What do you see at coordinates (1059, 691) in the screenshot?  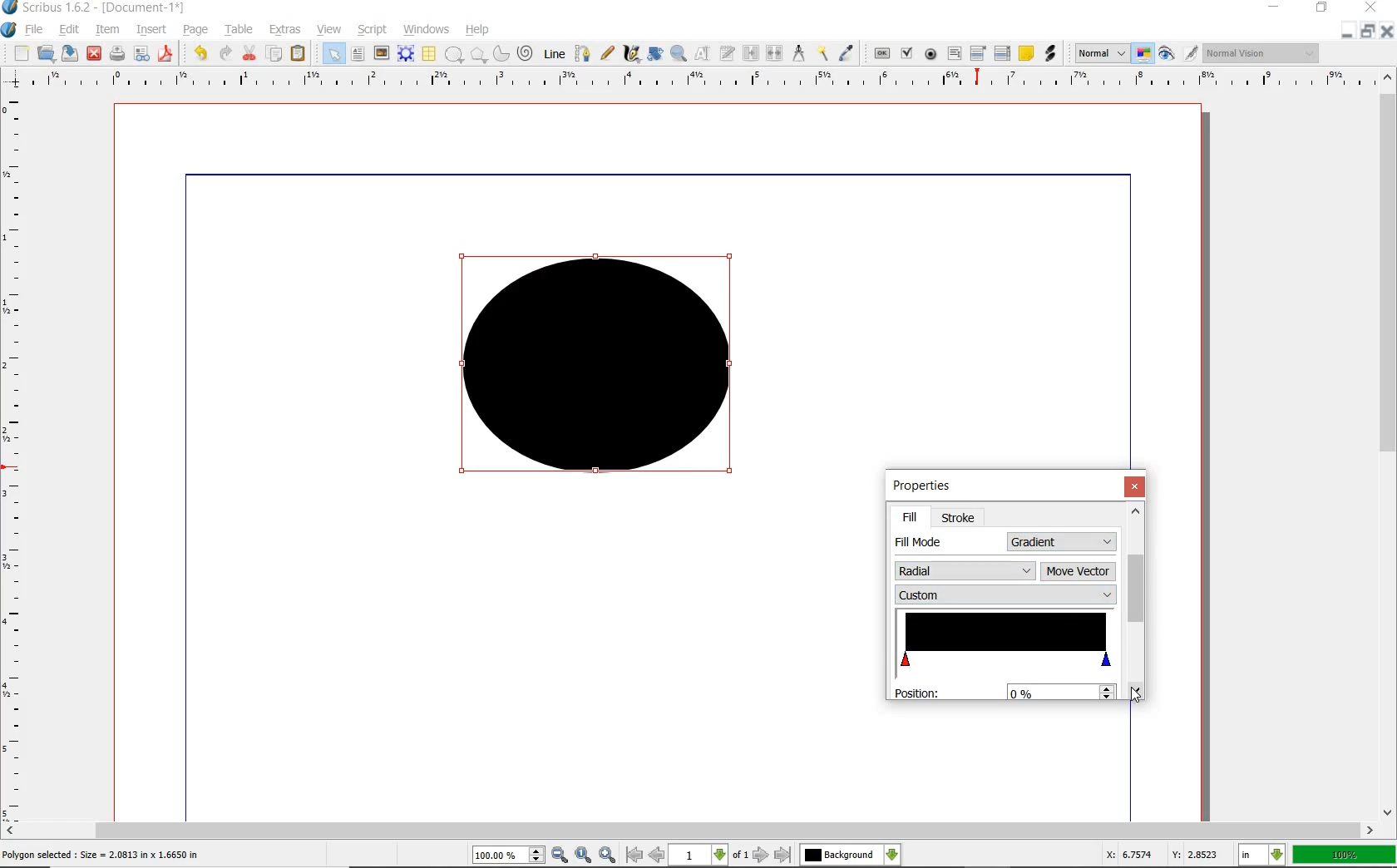 I see `position` at bounding box center [1059, 691].